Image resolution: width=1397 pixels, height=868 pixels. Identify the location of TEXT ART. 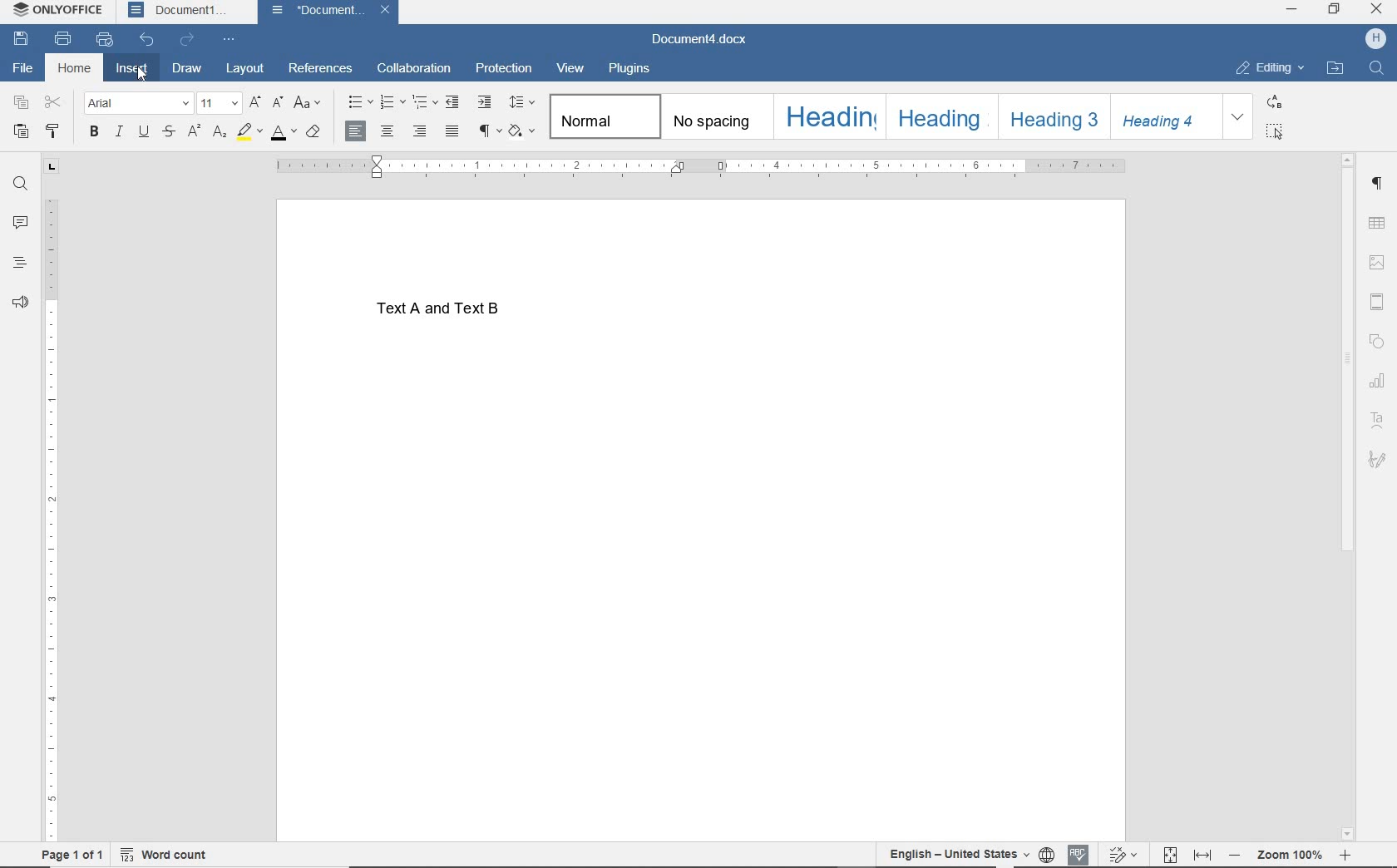
(1377, 419).